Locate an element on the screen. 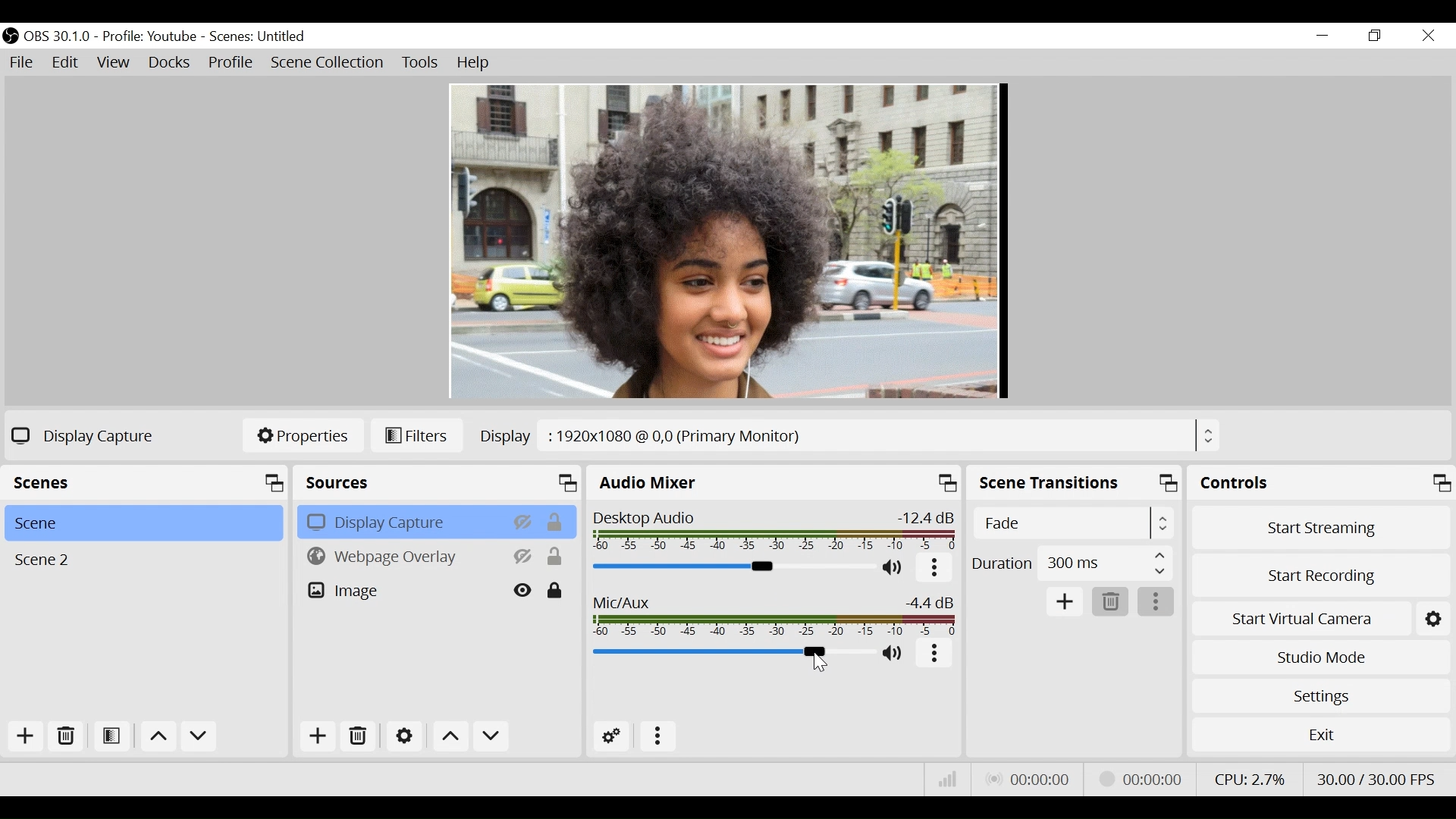 The width and height of the screenshot is (1456, 819). move up is located at coordinates (157, 736).